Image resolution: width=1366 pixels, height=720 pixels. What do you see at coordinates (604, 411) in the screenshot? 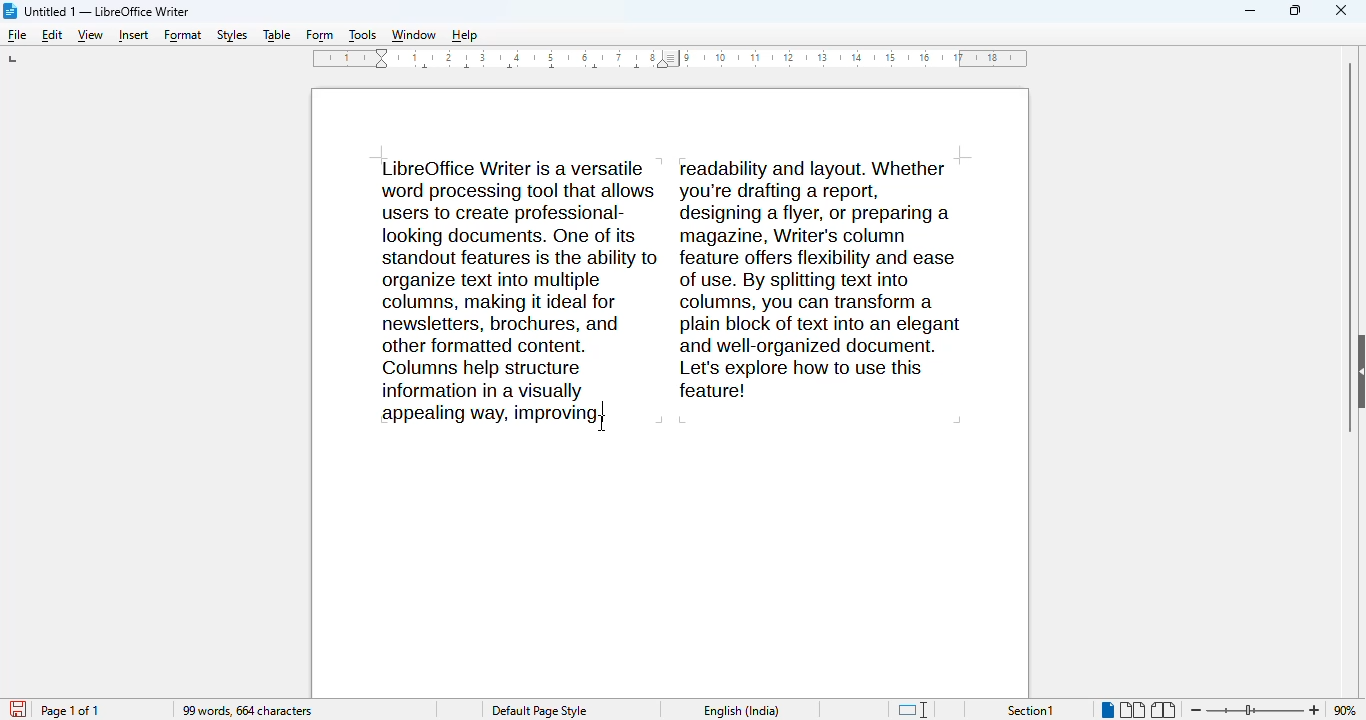
I see `hotkey (Alt+F12) pressed` at bounding box center [604, 411].